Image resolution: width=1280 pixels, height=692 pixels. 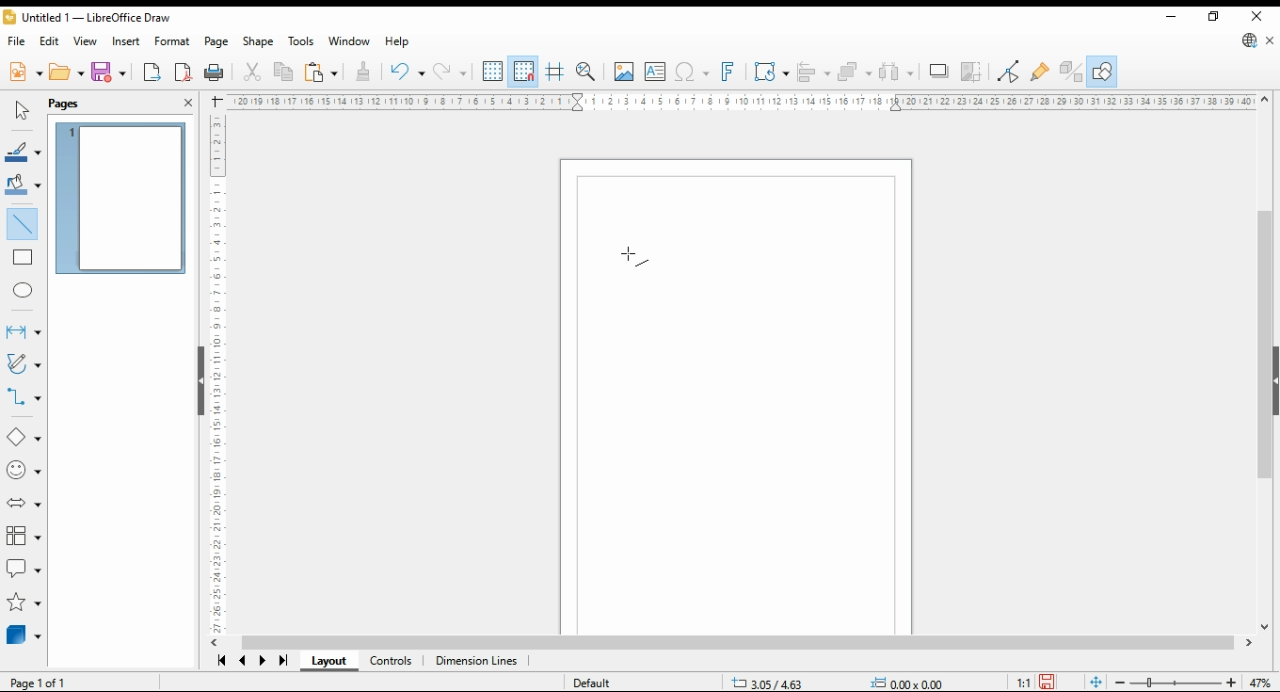 What do you see at coordinates (452, 72) in the screenshot?
I see `undo` at bounding box center [452, 72].